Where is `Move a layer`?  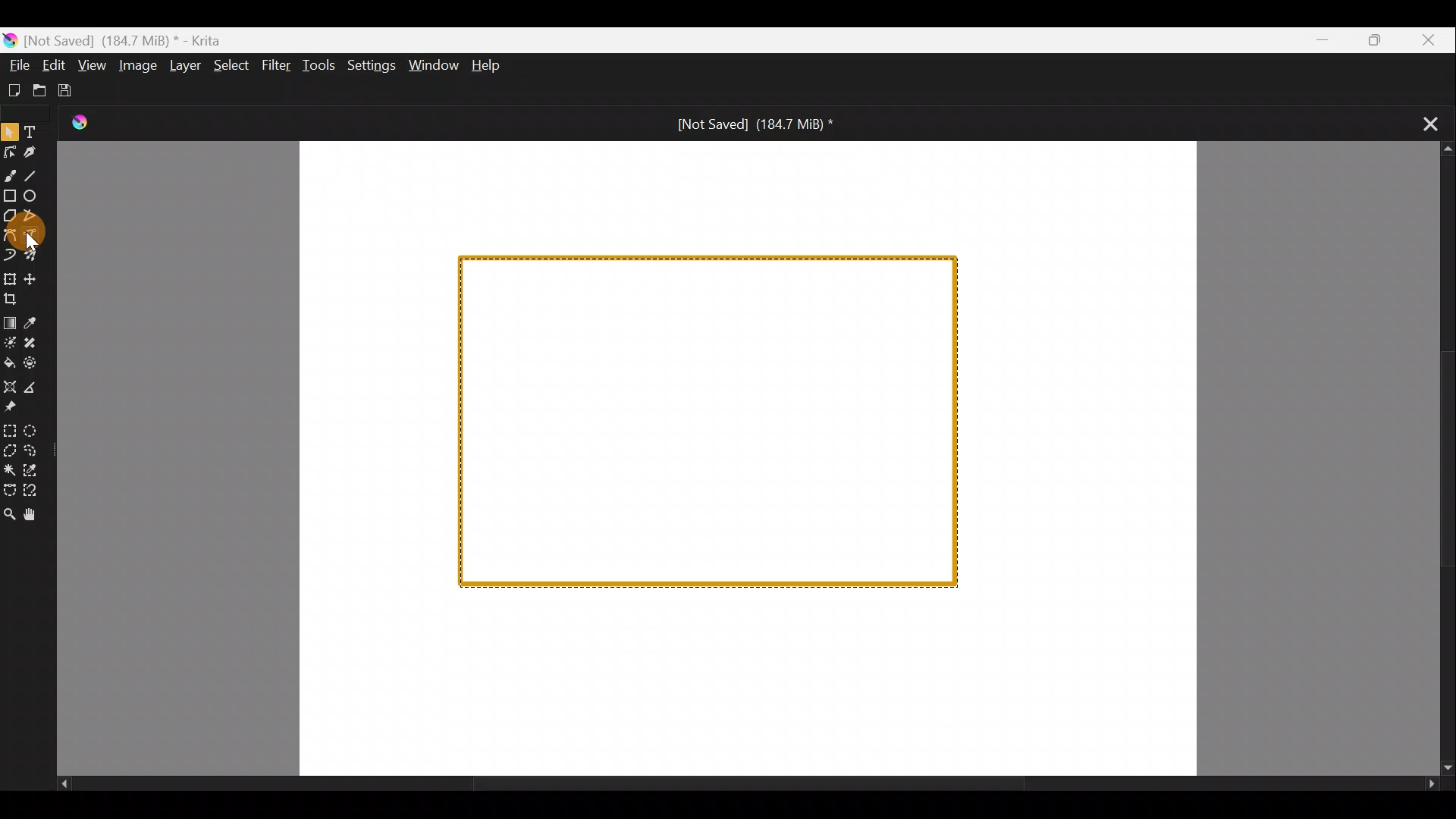 Move a layer is located at coordinates (33, 281).